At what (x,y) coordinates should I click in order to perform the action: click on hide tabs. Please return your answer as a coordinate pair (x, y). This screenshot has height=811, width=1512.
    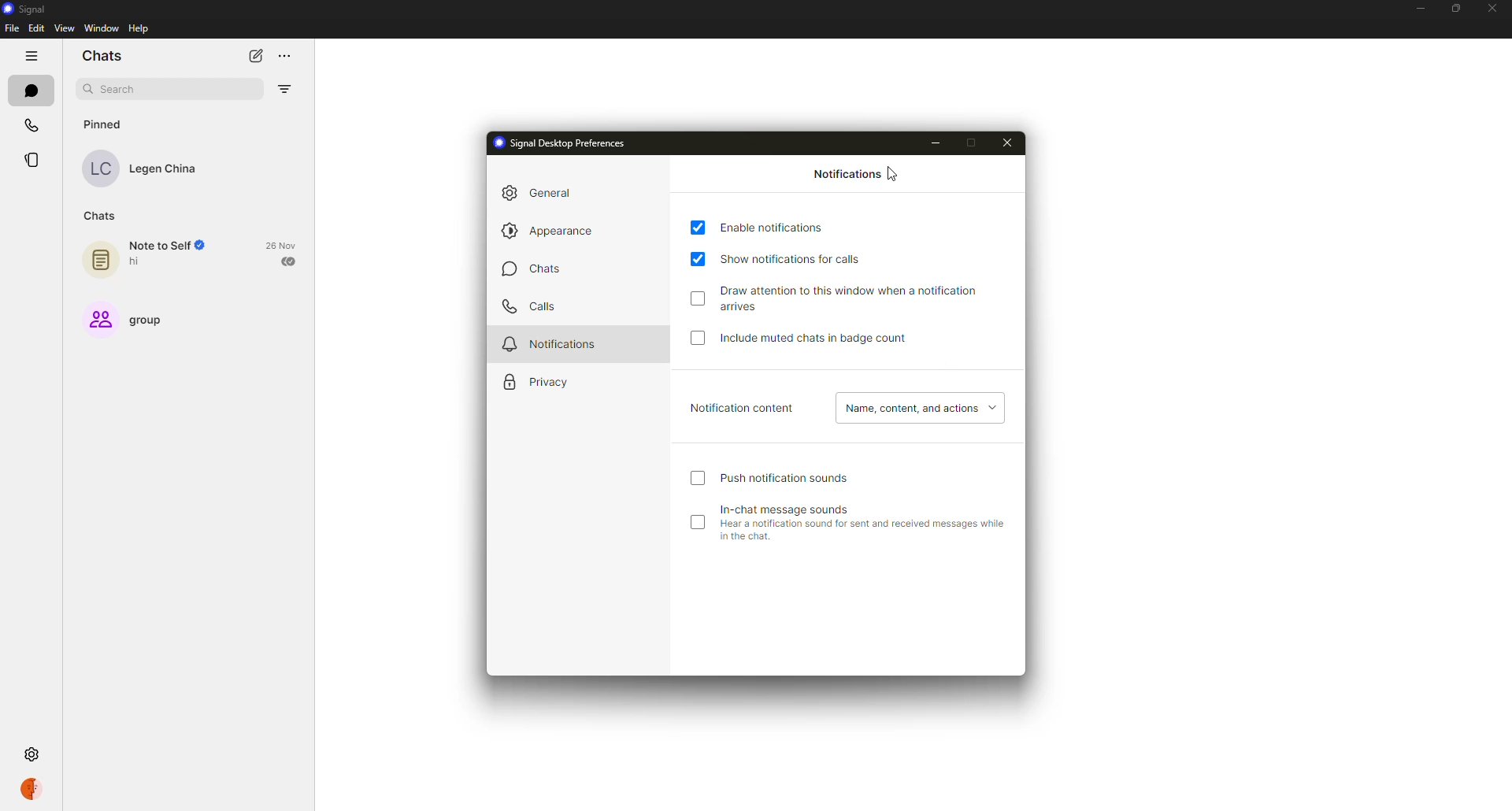
    Looking at the image, I should click on (34, 56).